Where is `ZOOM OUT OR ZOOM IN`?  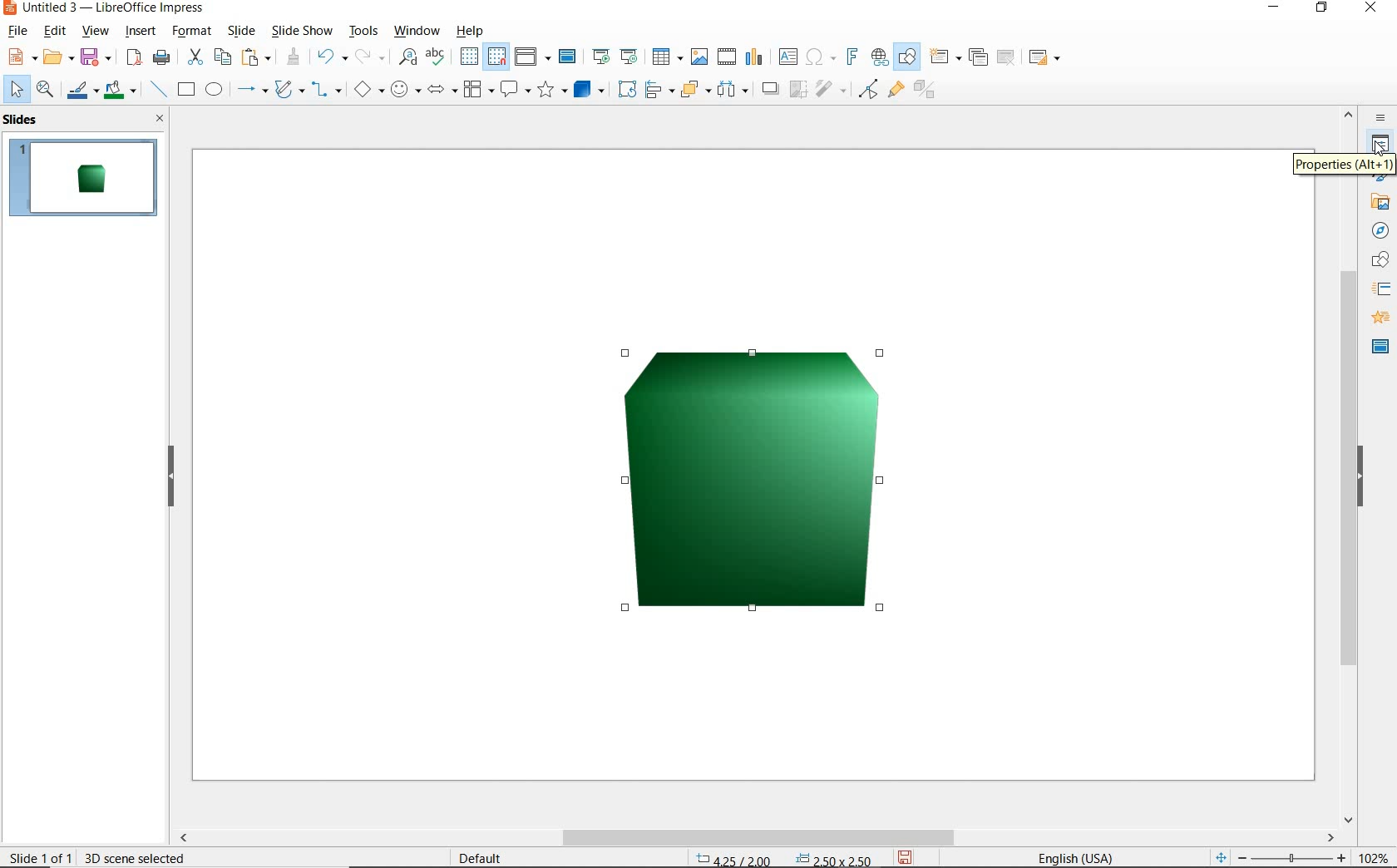 ZOOM OUT OR ZOOM IN is located at coordinates (1277, 856).